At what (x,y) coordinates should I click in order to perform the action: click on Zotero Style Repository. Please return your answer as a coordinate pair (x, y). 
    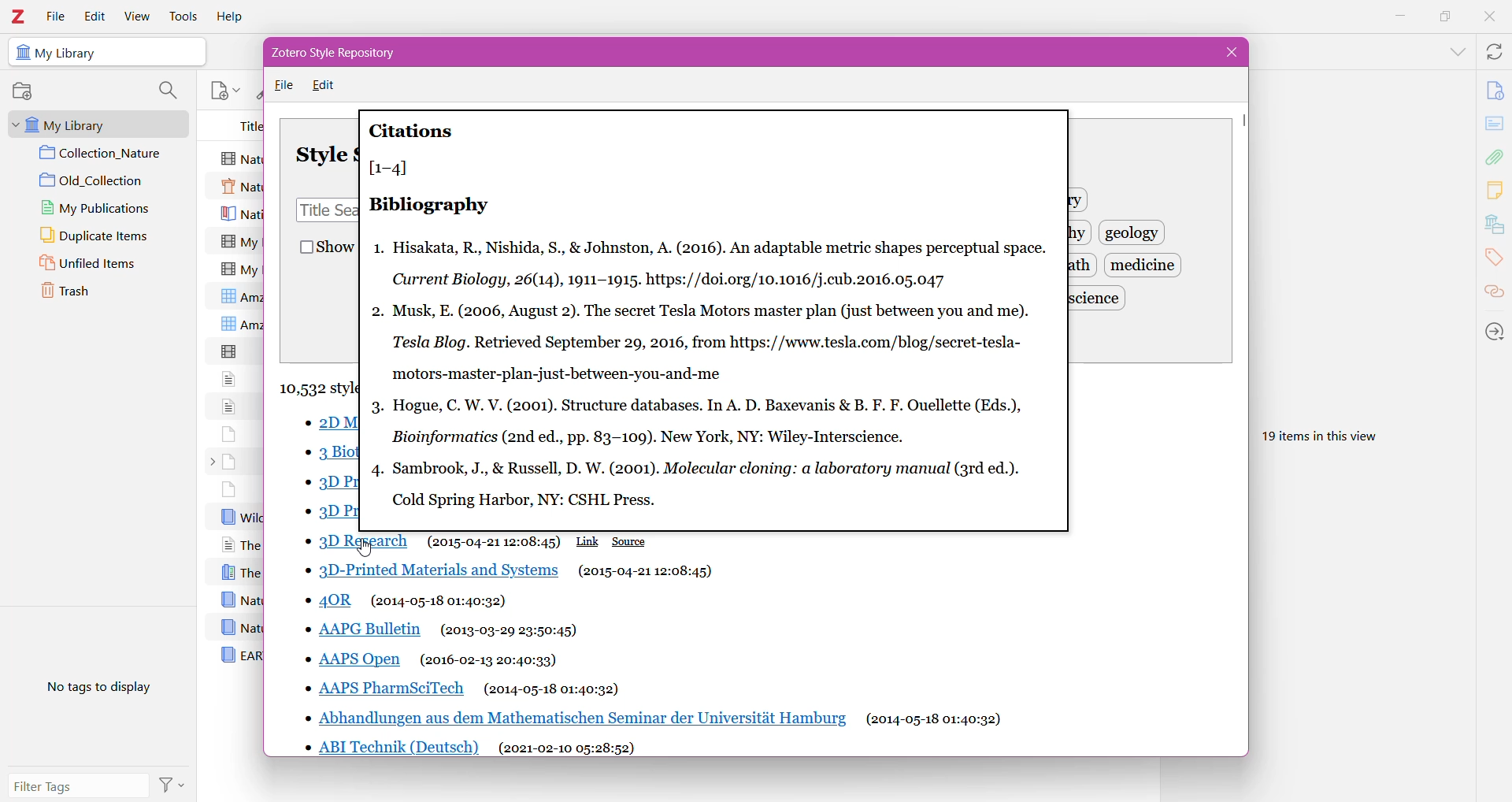
    Looking at the image, I should click on (345, 53).